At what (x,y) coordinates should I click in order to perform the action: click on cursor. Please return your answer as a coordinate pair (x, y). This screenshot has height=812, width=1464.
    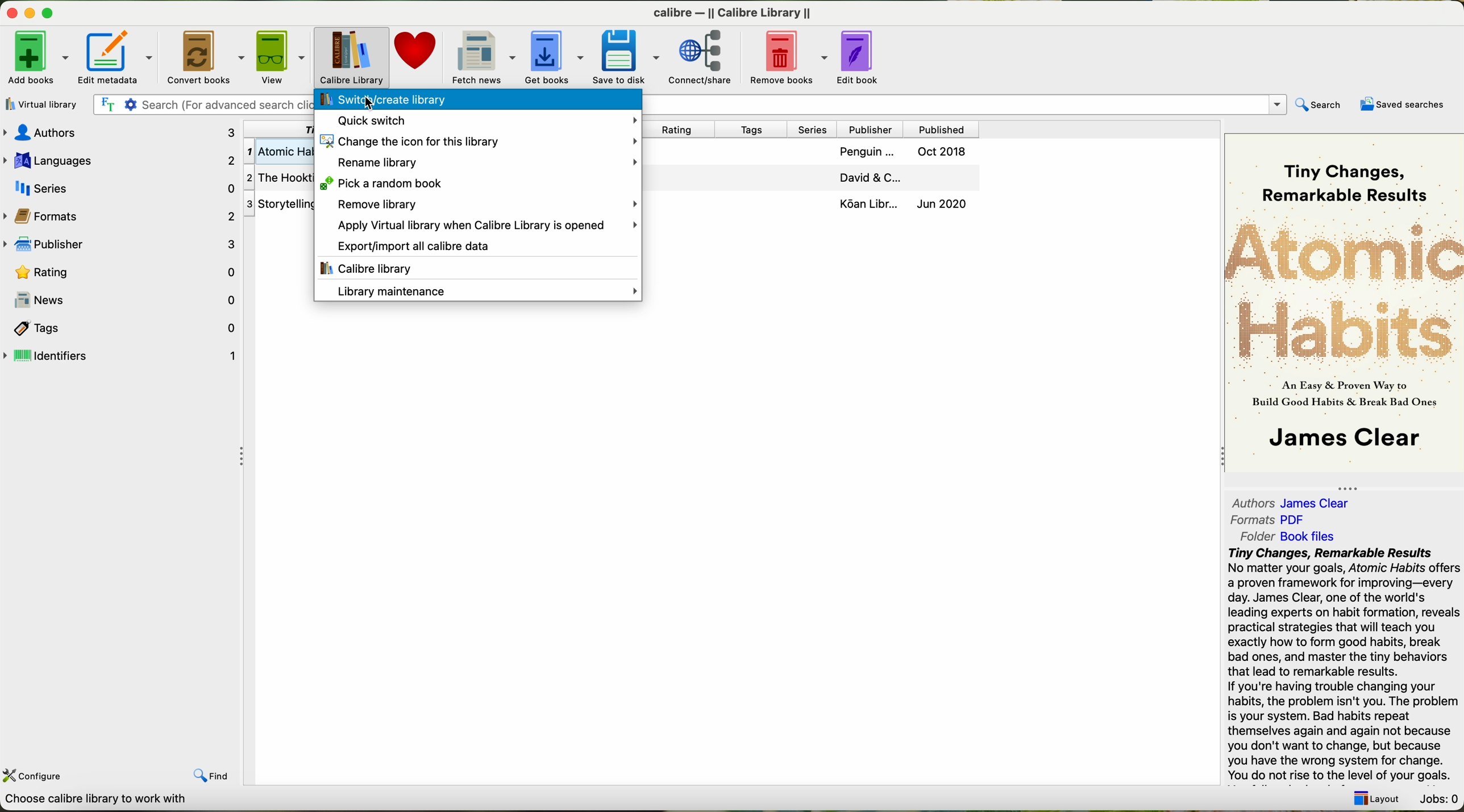
    Looking at the image, I should click on (371, 104).